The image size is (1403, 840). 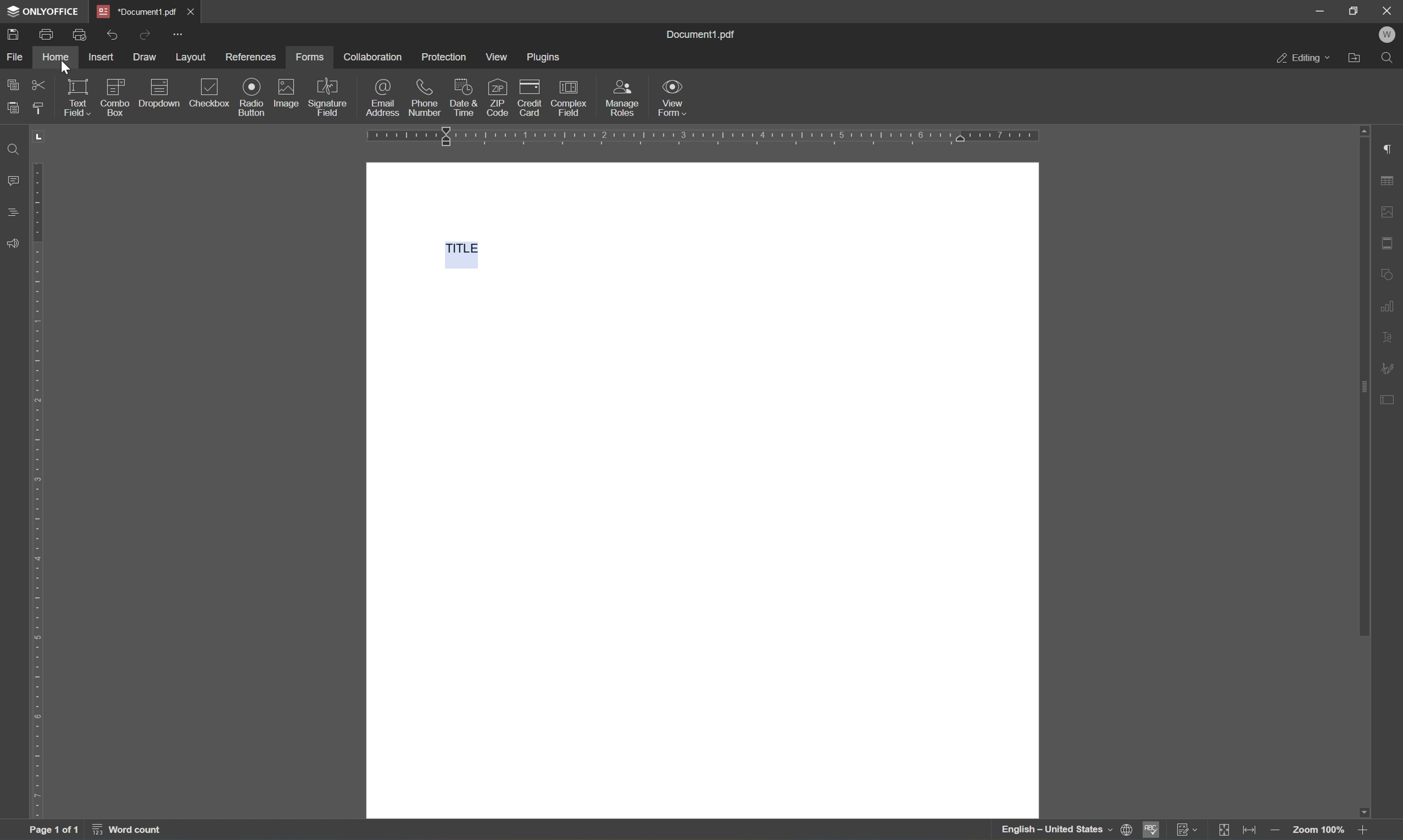 What do you see at coordinates (180, 33) in the screenshot?
I see `customize quick access toolbar` at bounding box center [180, 33].